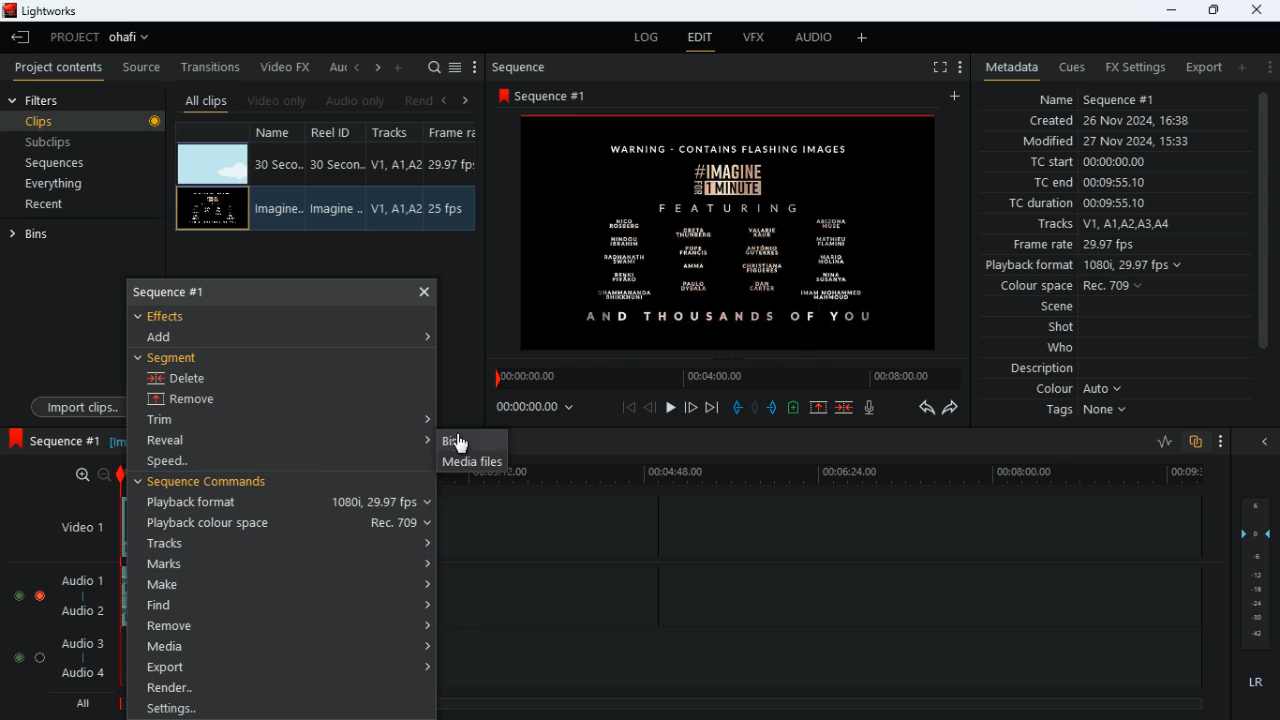 The width and height of the screenshot is (1280, 720). I want to click on Mouse Cursor, so click(465, 443).